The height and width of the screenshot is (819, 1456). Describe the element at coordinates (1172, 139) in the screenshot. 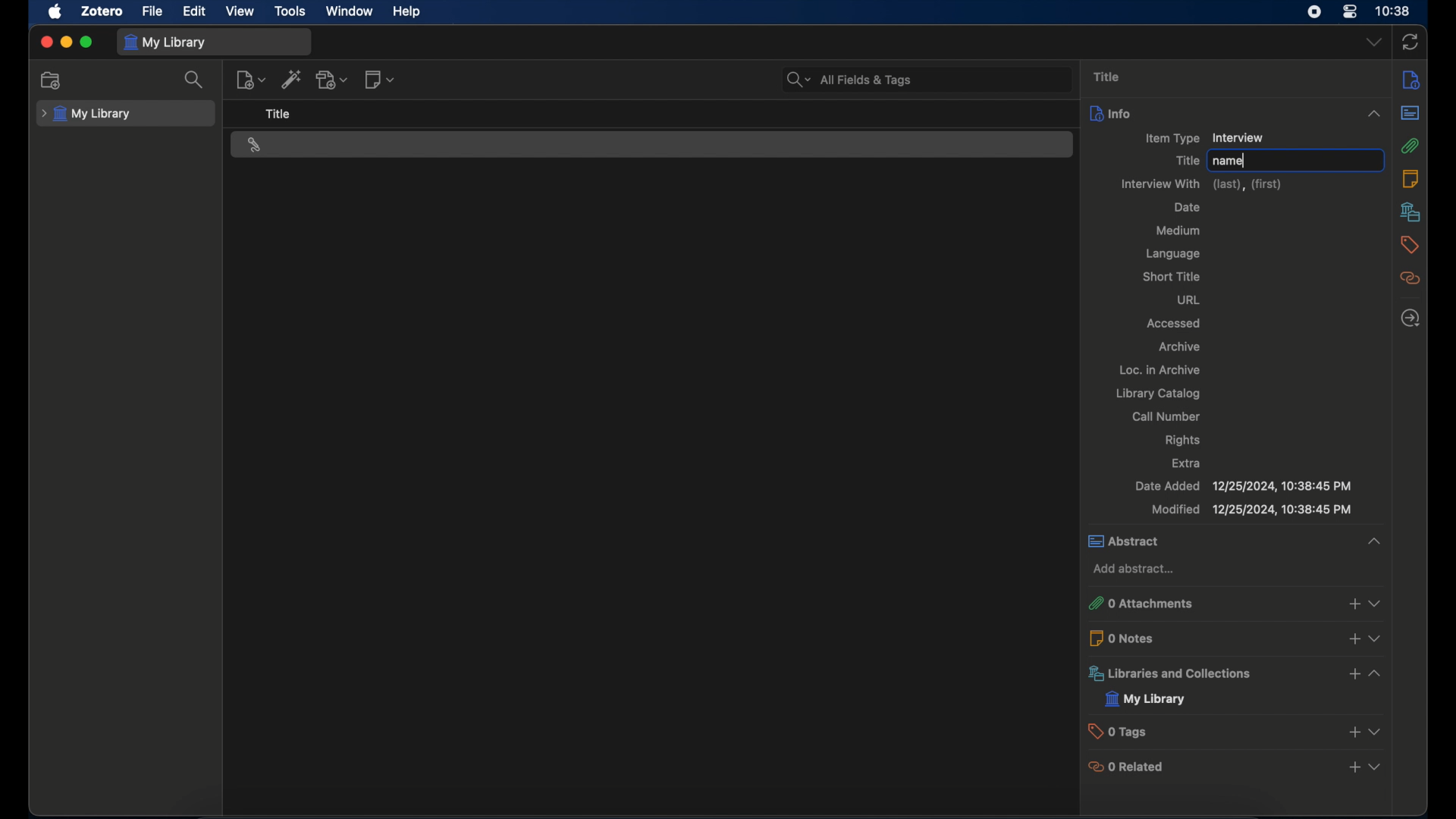

I see `item type` at that location.